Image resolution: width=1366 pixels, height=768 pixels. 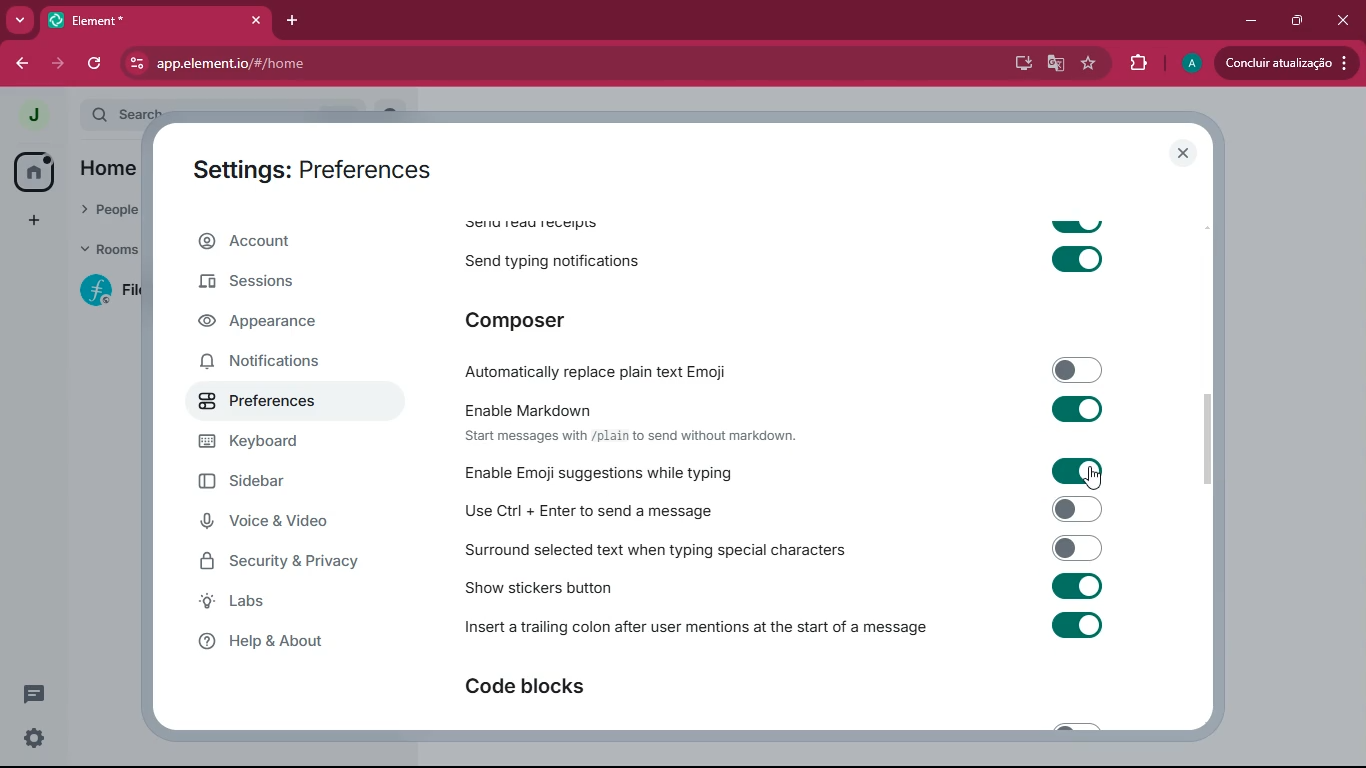 I want to click on desktop, so click(x=1020, y=63).